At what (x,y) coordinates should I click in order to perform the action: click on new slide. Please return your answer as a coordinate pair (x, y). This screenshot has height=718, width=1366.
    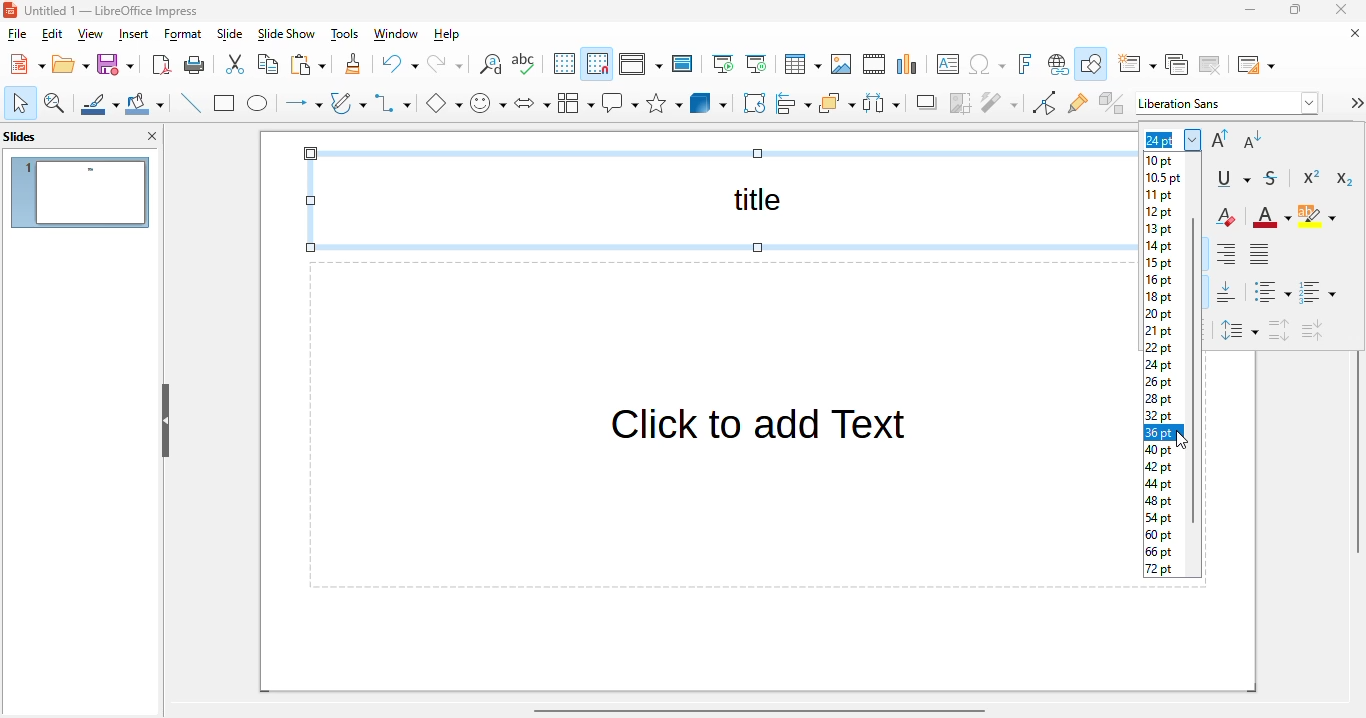
    Looking at the image, I should click on (1137, 64).